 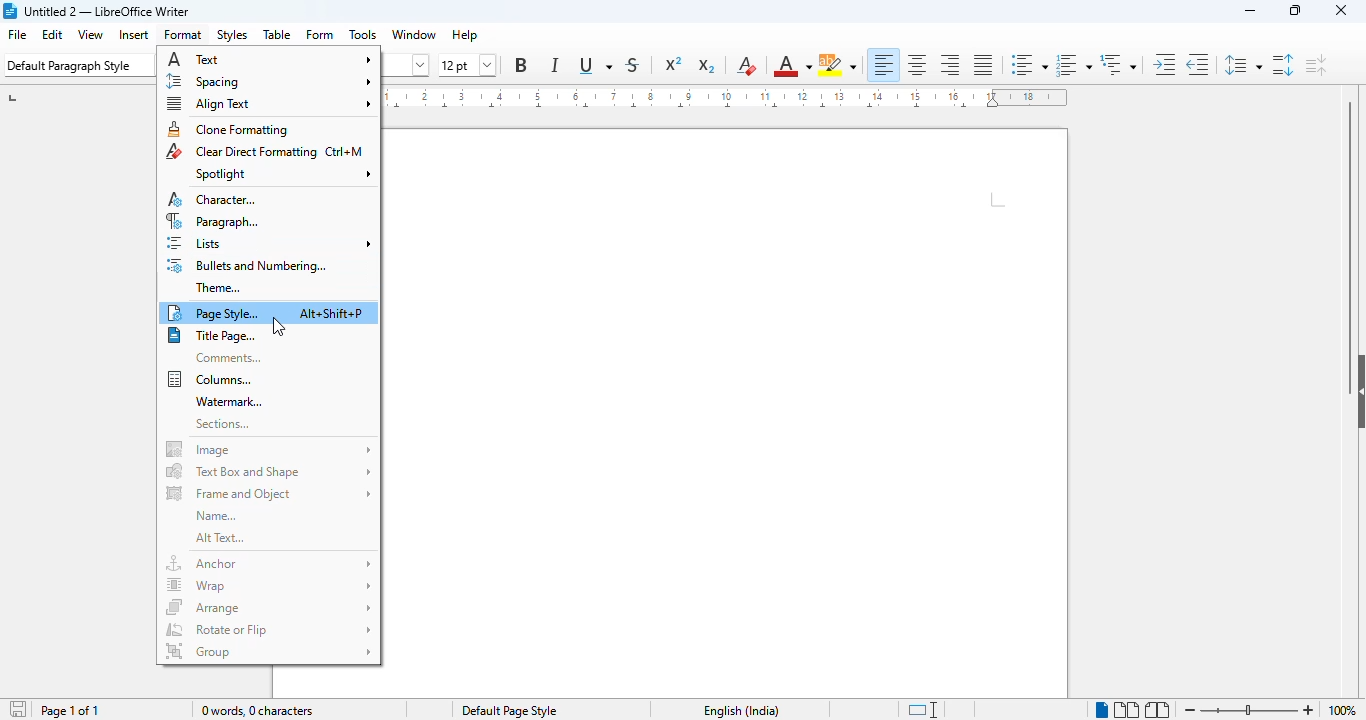 What do you see at coordinates (213, 313) in the screenshot?
I see `page style` at bounding box center [213, 313].